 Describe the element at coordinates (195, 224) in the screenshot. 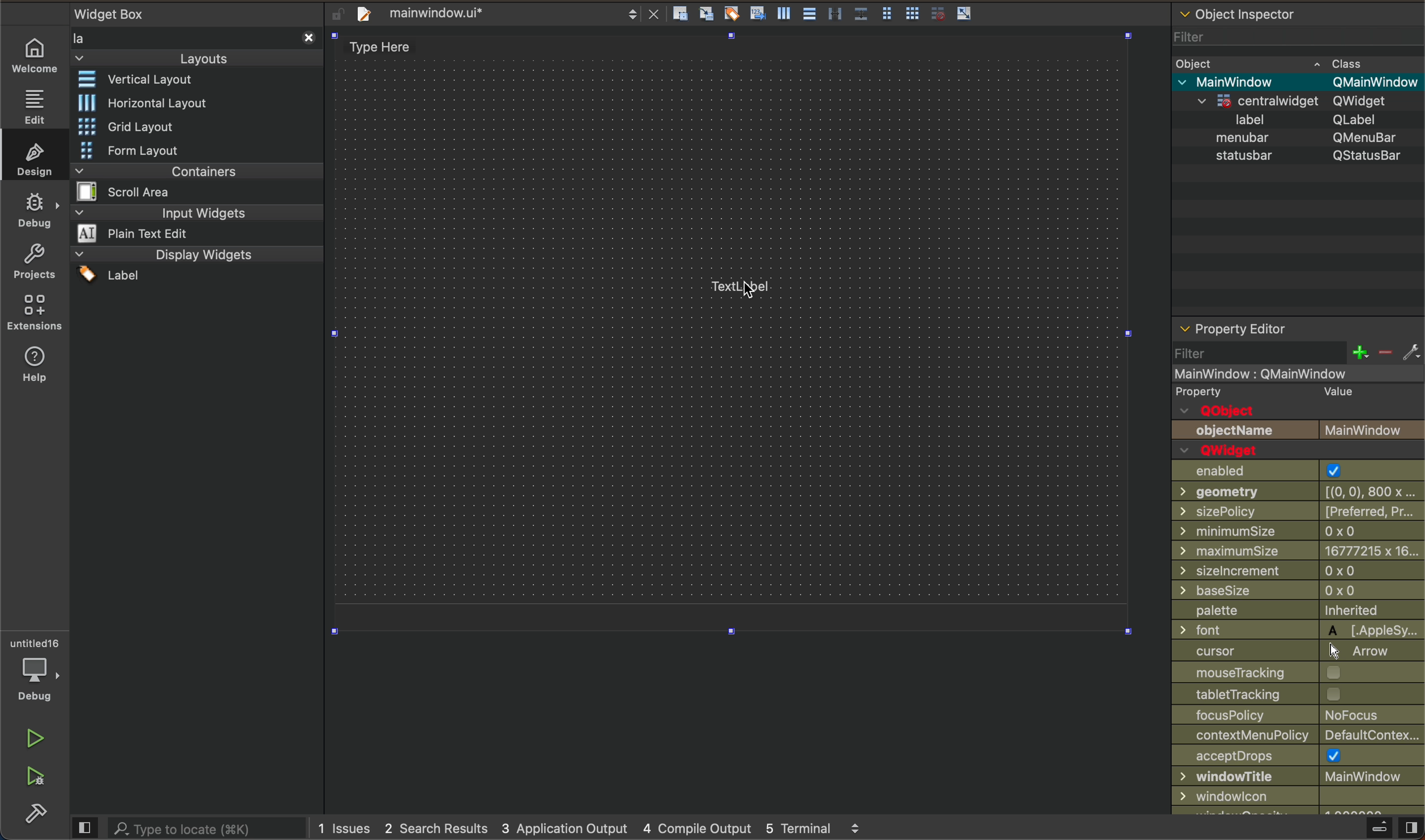

I see `input widget` at that location.